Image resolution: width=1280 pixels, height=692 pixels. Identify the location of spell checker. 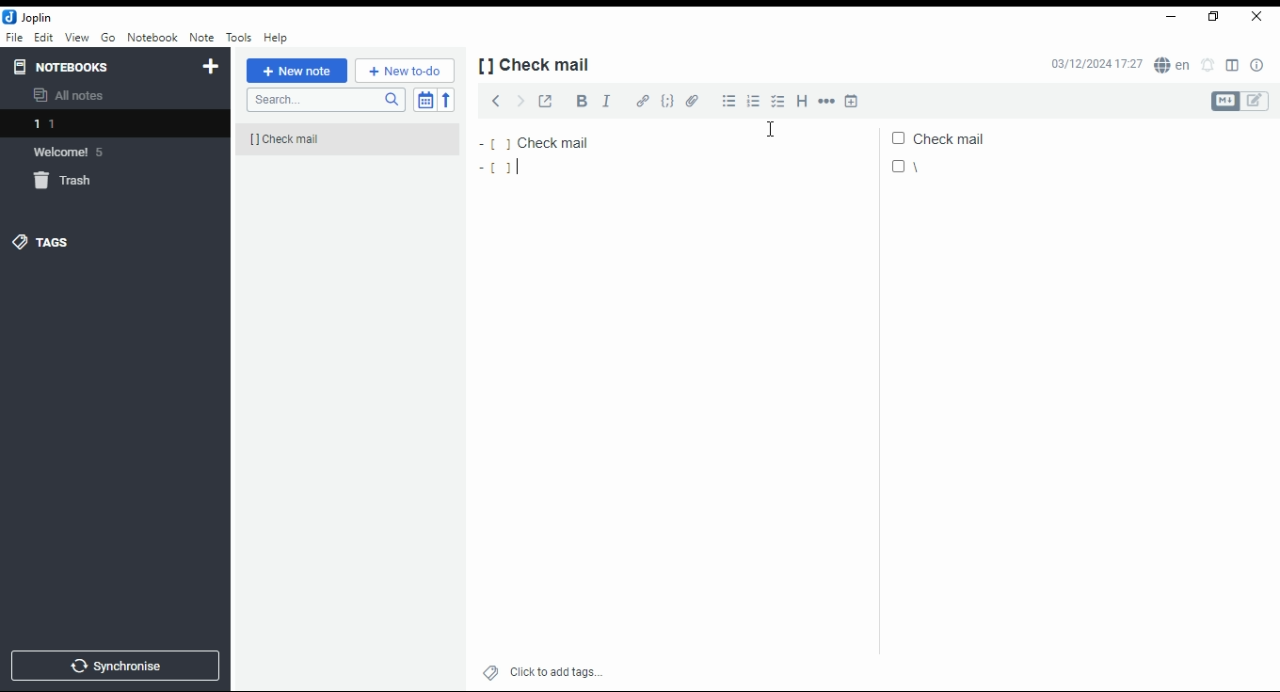
(1175, 67).